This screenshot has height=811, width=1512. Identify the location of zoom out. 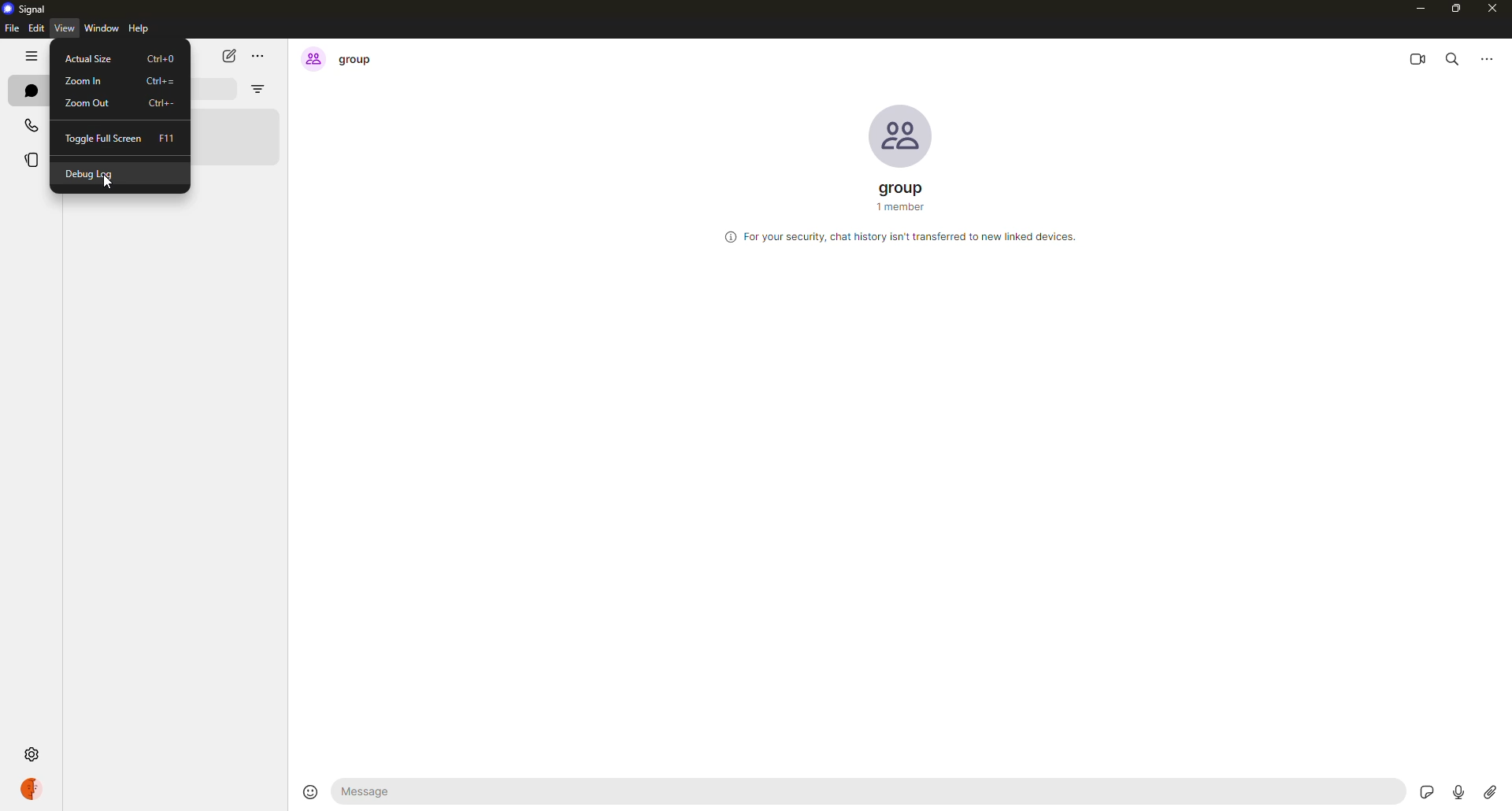
(88, 102).